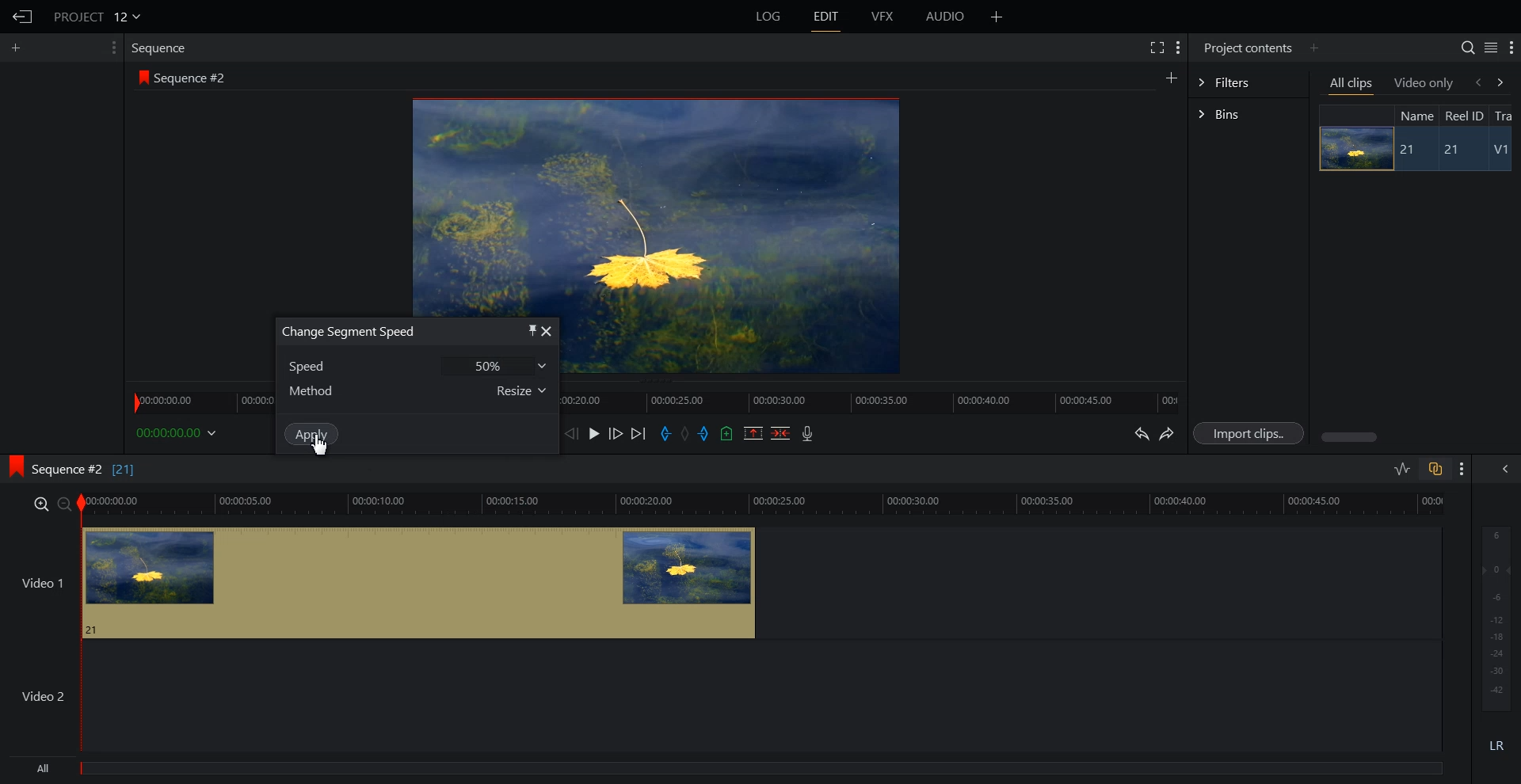 The height and width of the screenshot is (784, 1521). Describe the element at coordinates (997, 17) in the screenshot. I see `Add panel` at that location.